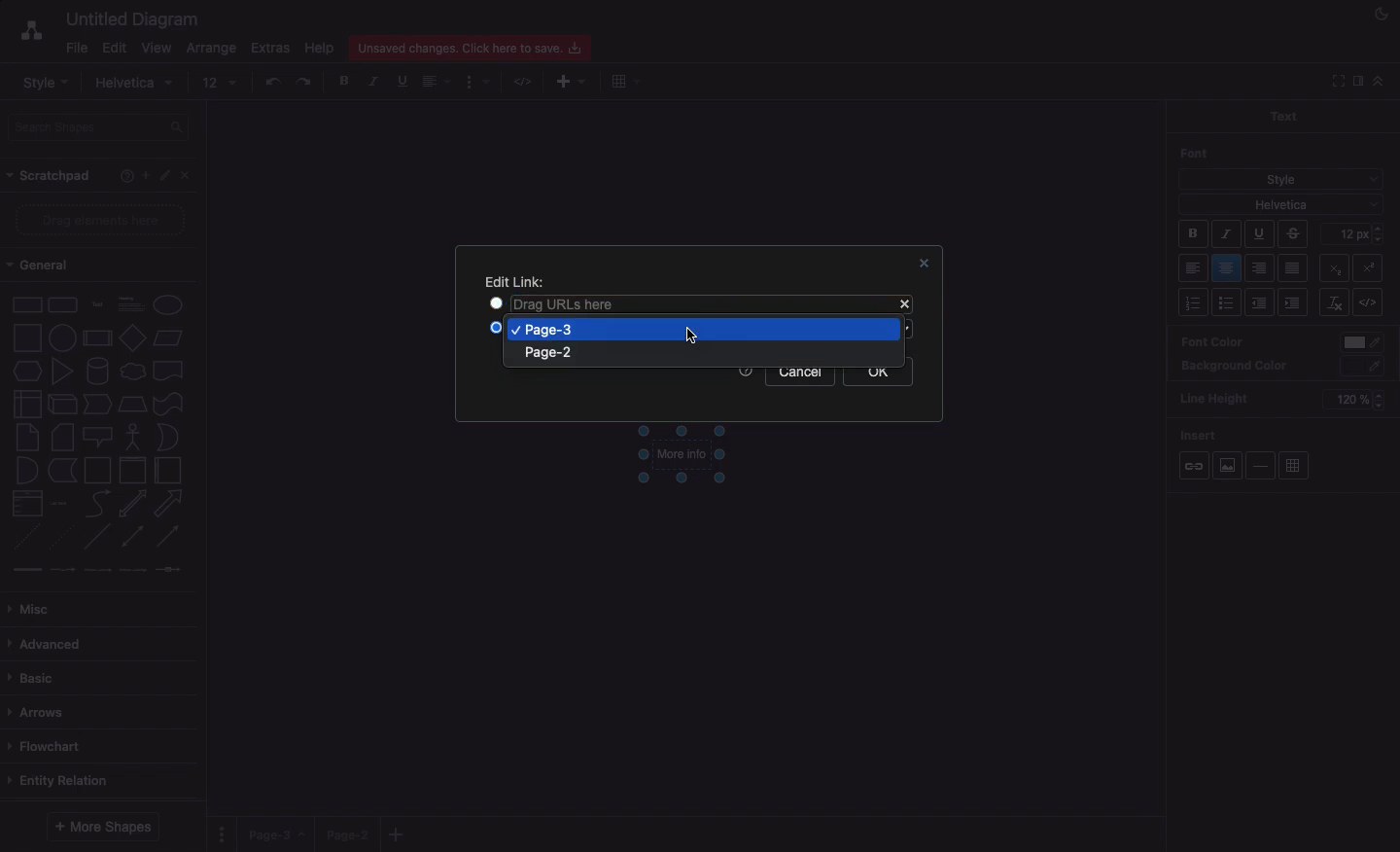 Image resolution: width=1400 pixels, height=852 pixels. Describe the element at coordinates (1351, 401) in the screenshot. I see `120%` at that location.